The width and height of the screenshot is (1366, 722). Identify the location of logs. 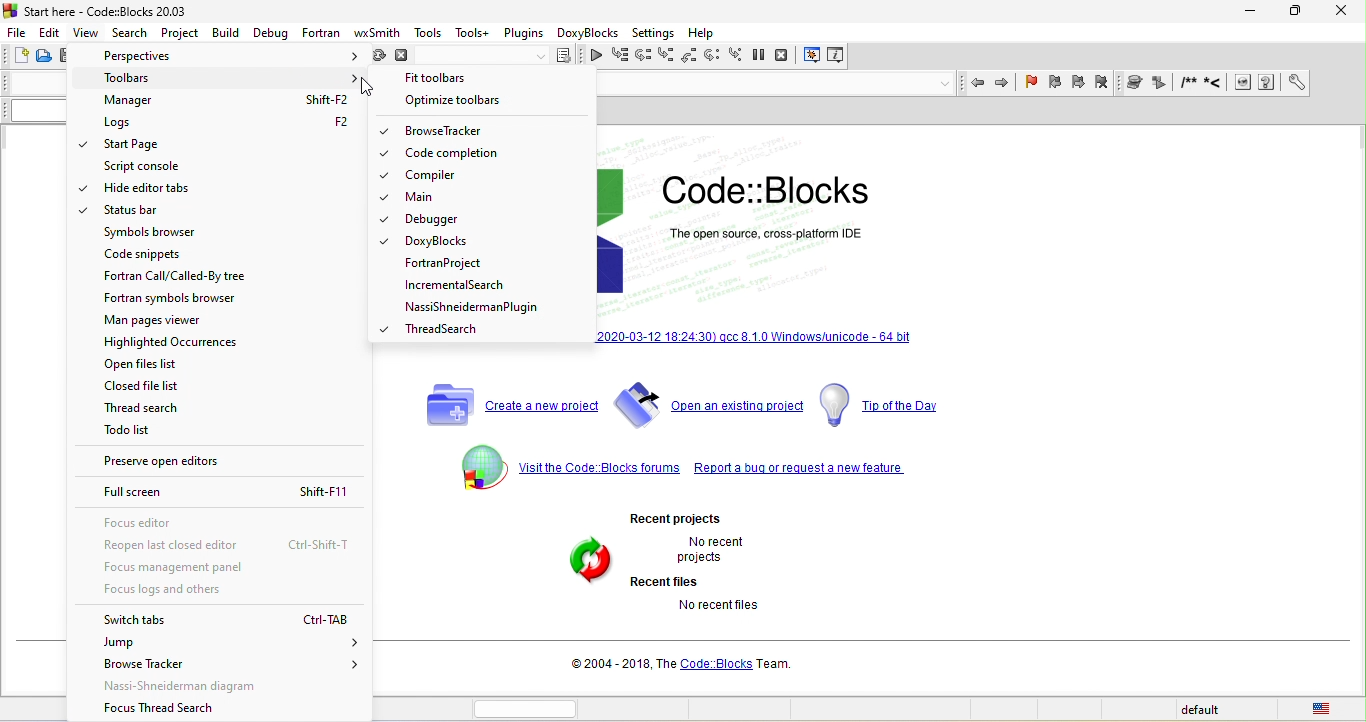
(231, 123).